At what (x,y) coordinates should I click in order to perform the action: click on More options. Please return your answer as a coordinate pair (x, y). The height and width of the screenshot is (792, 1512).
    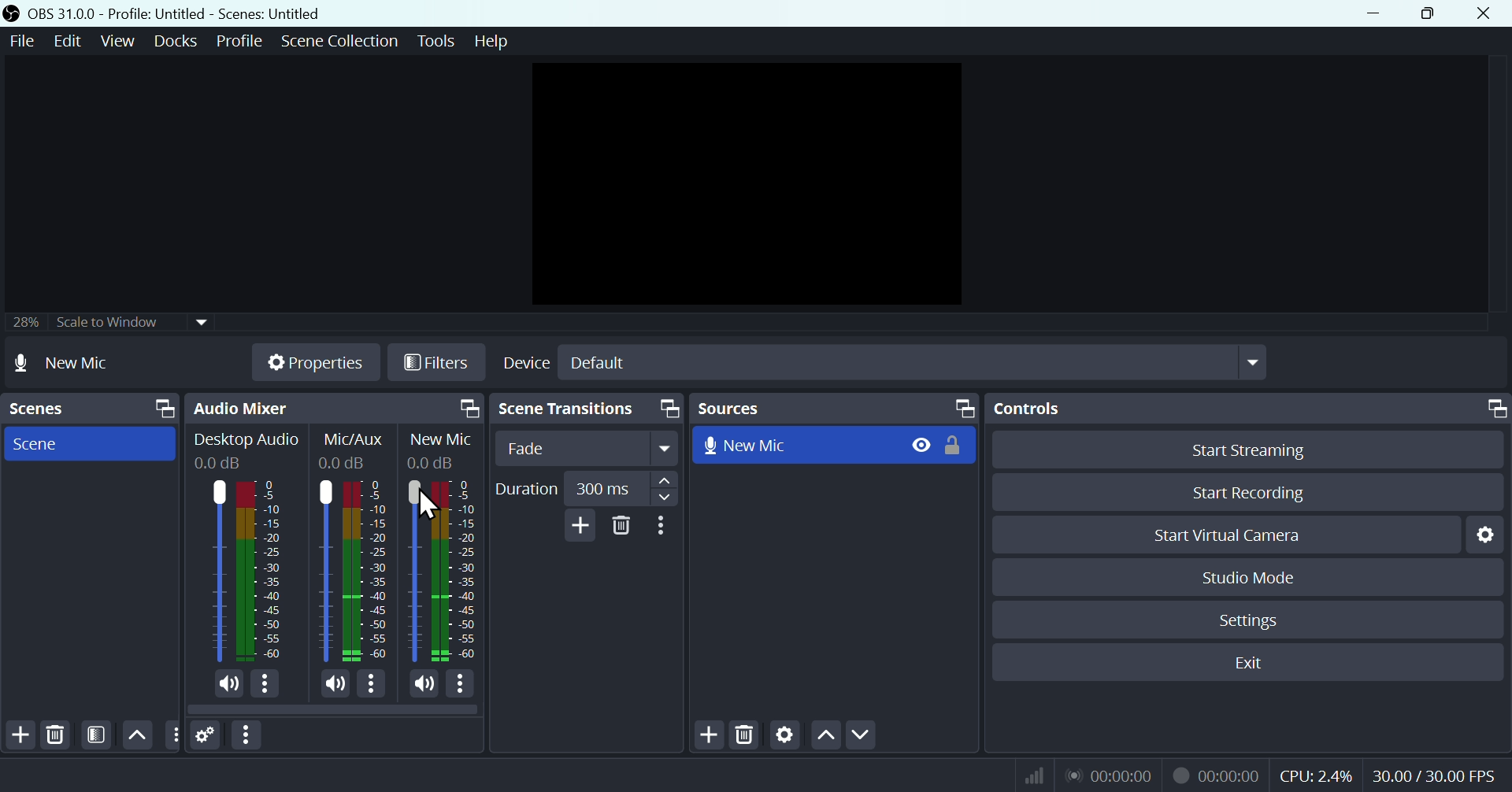
    Looking at the image, I should click on (266, 685).